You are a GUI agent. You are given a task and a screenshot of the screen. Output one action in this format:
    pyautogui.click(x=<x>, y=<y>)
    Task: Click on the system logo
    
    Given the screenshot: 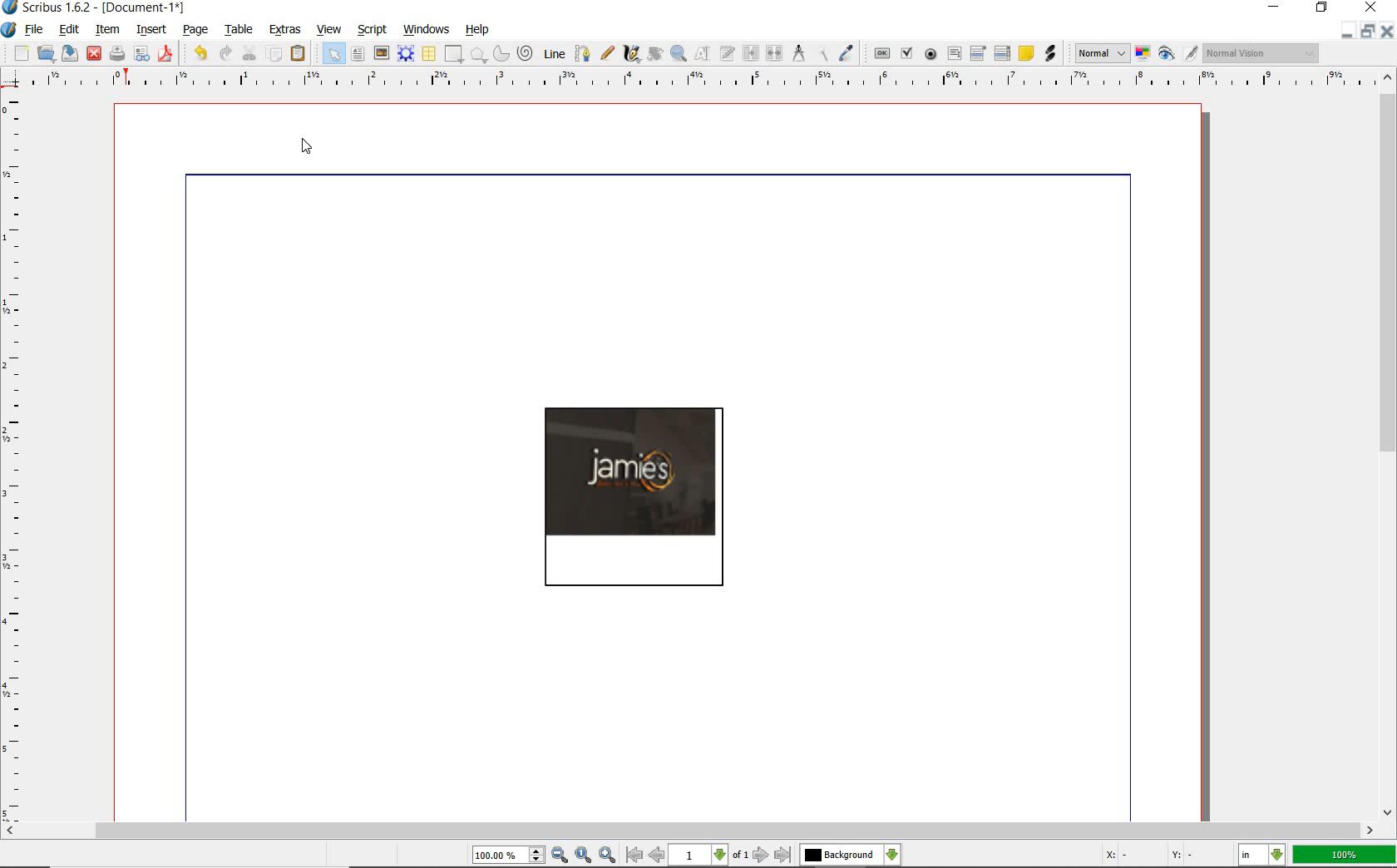 What is the action you would take?
    pyautogui.click(x=8, y=29)
    